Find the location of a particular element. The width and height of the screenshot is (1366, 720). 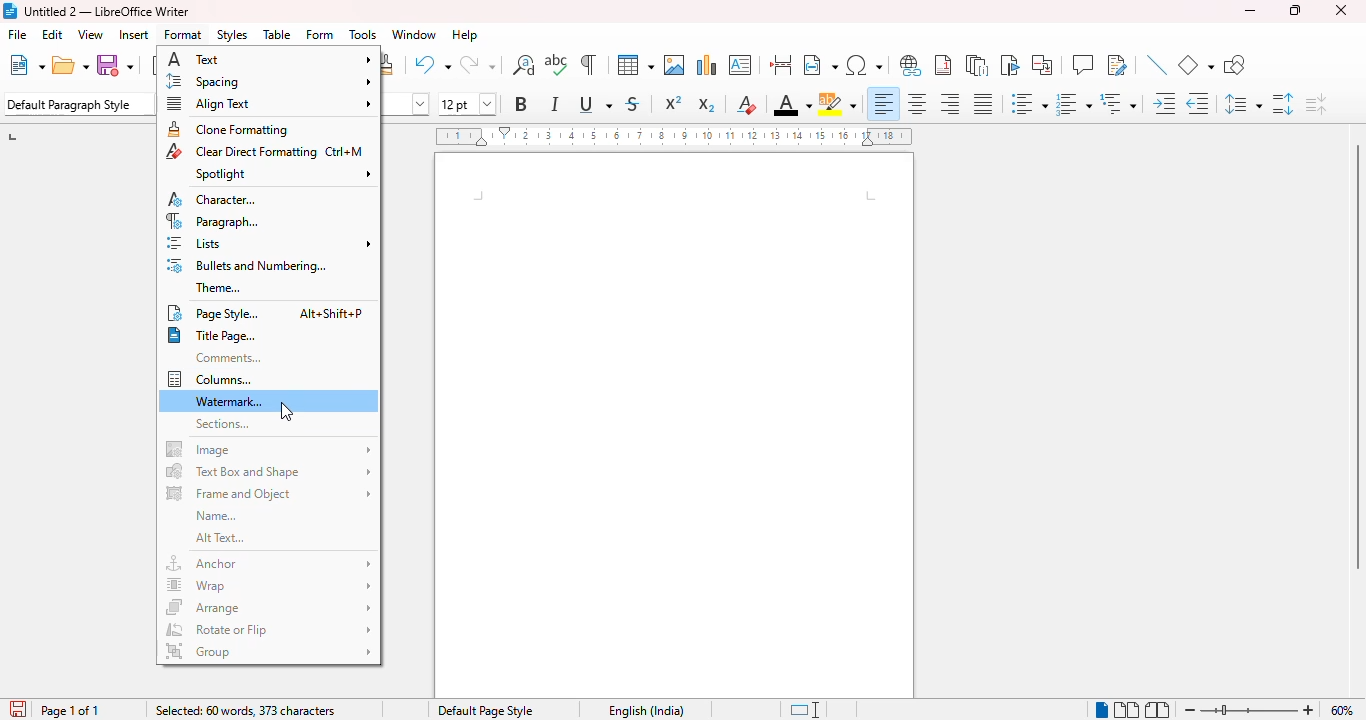

form is located at coordinates (320, 34).